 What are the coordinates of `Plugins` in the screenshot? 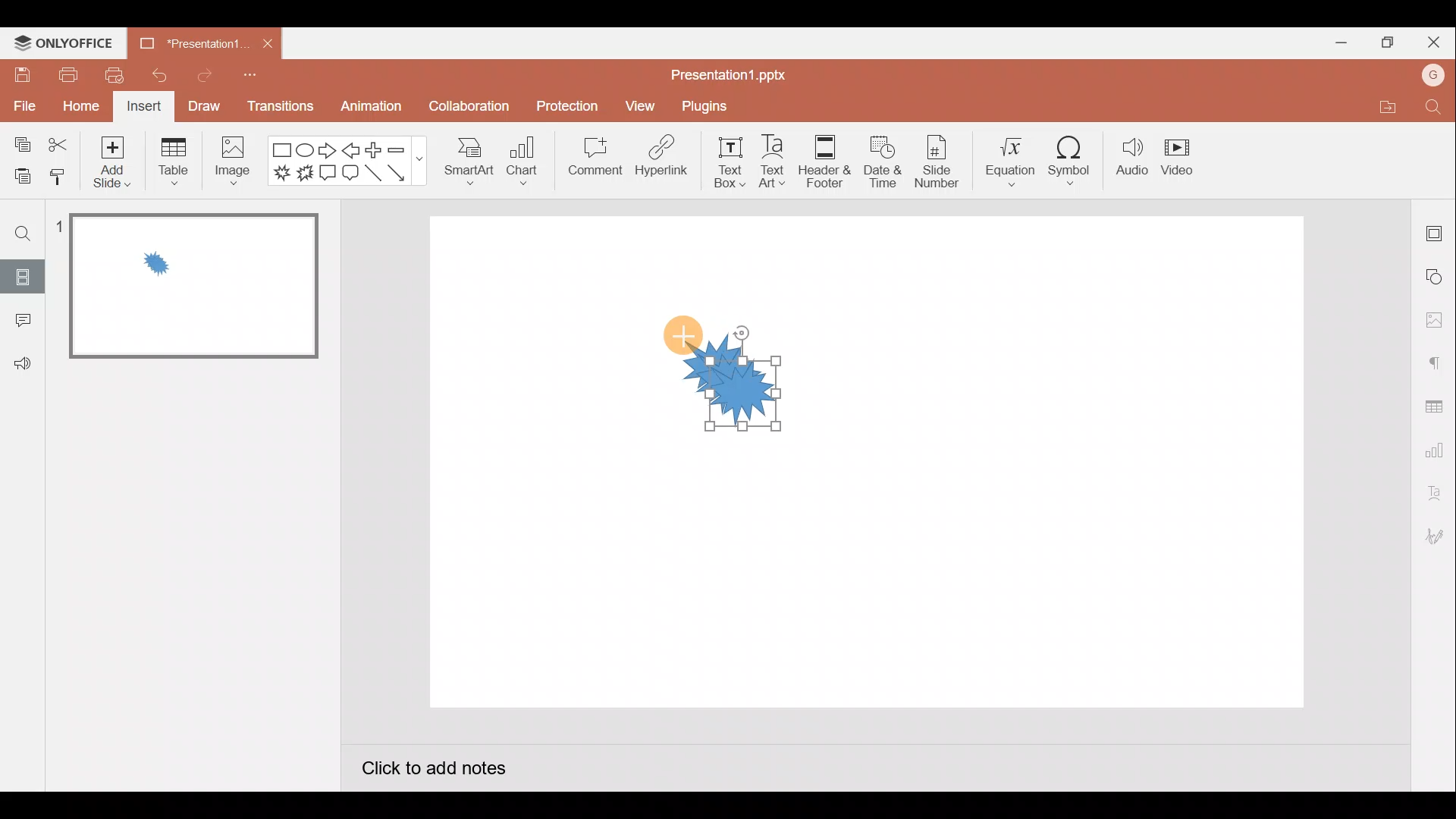 It's located at (704, 103).